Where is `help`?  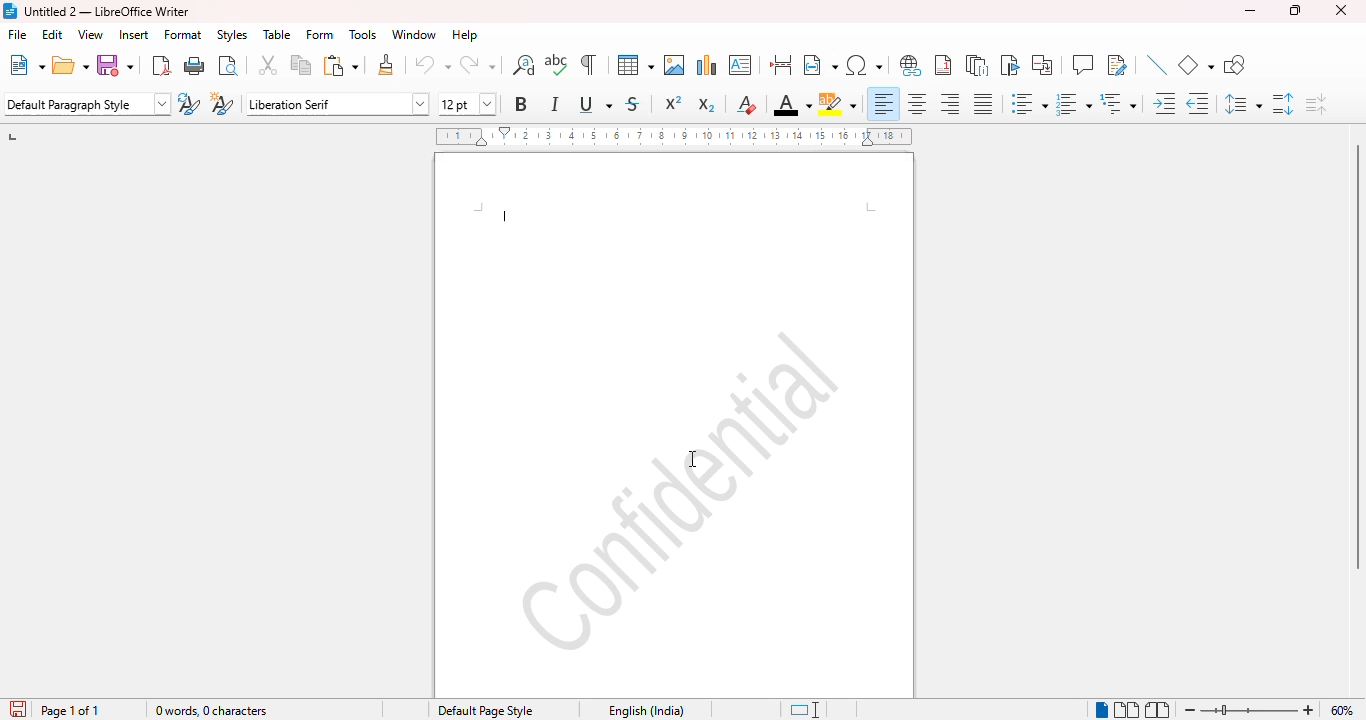
help is located at coordinates (465, 35).